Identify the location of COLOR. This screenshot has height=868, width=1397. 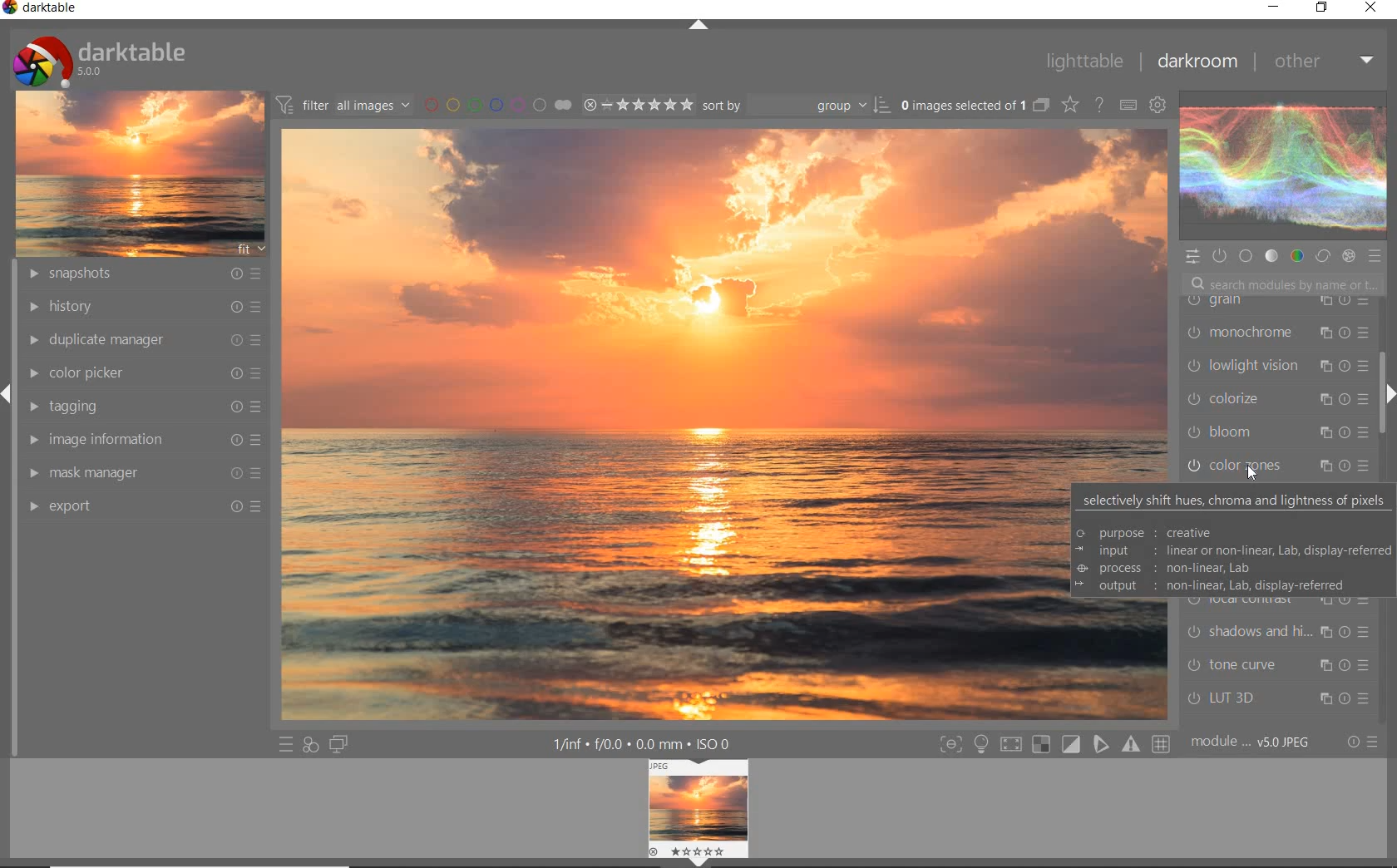
(1295, 256).